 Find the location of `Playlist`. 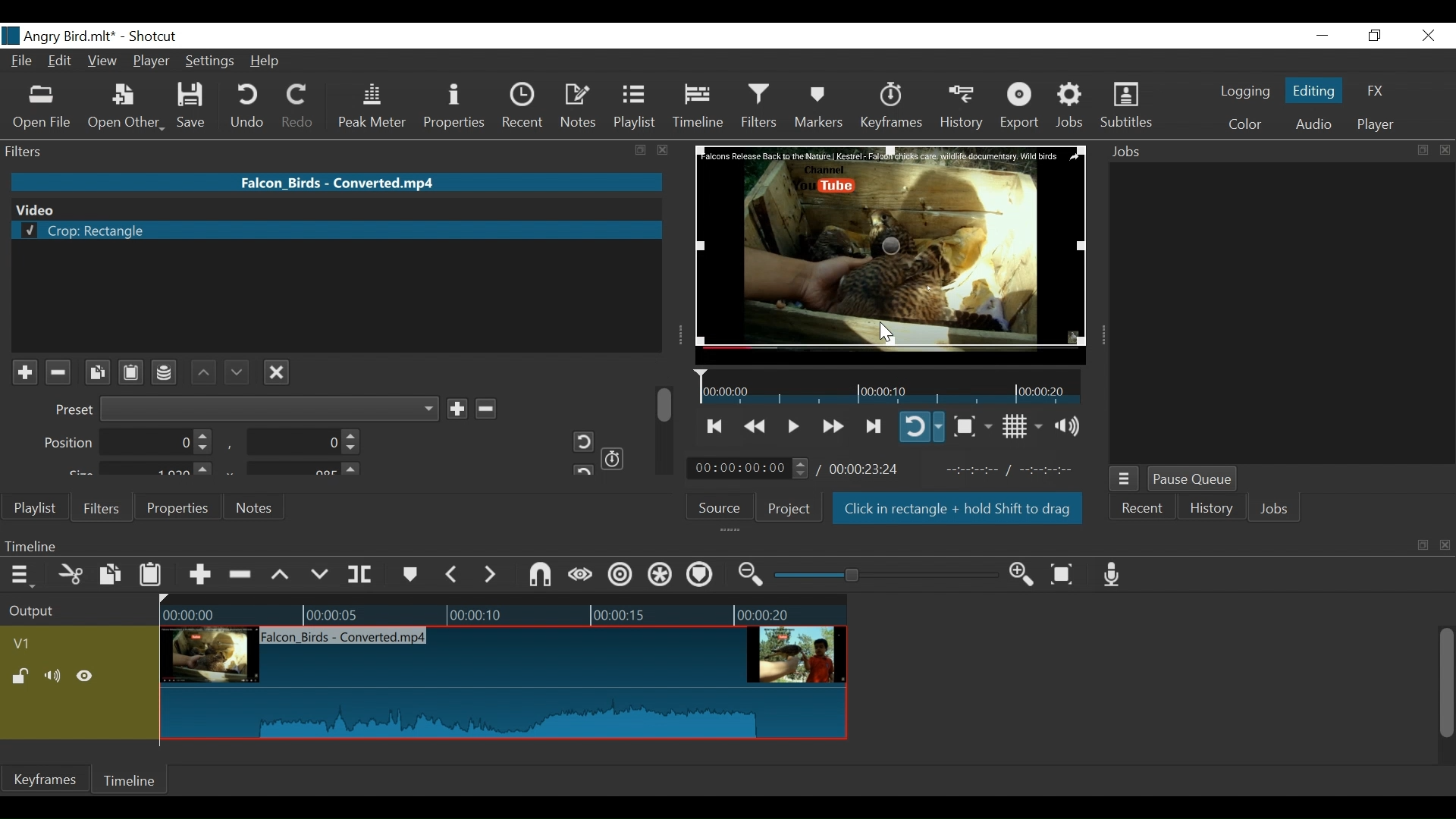

Playlist is located at coordinates (635, 106).